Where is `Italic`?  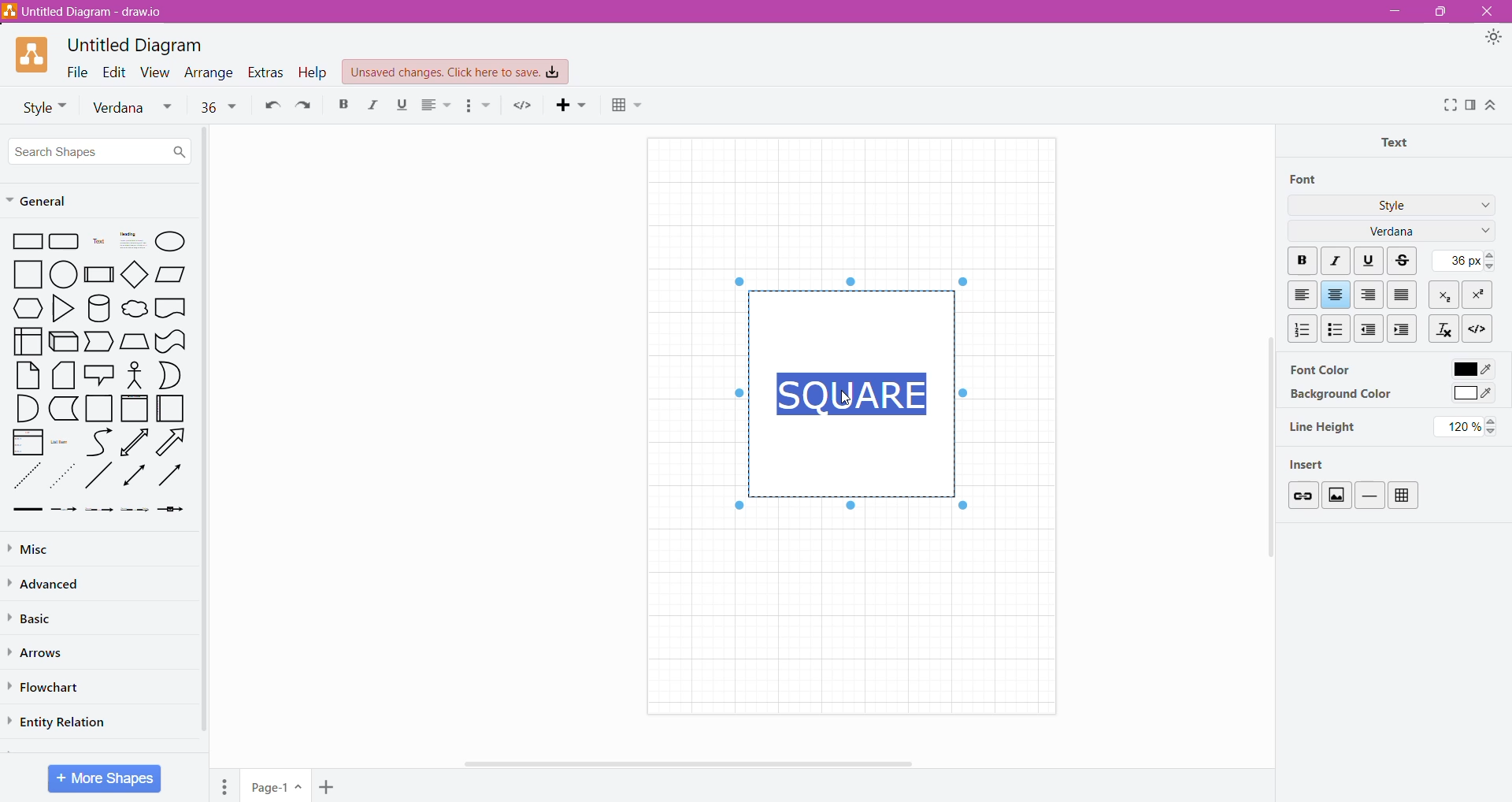 Italic is located at coordinates (369, 105).